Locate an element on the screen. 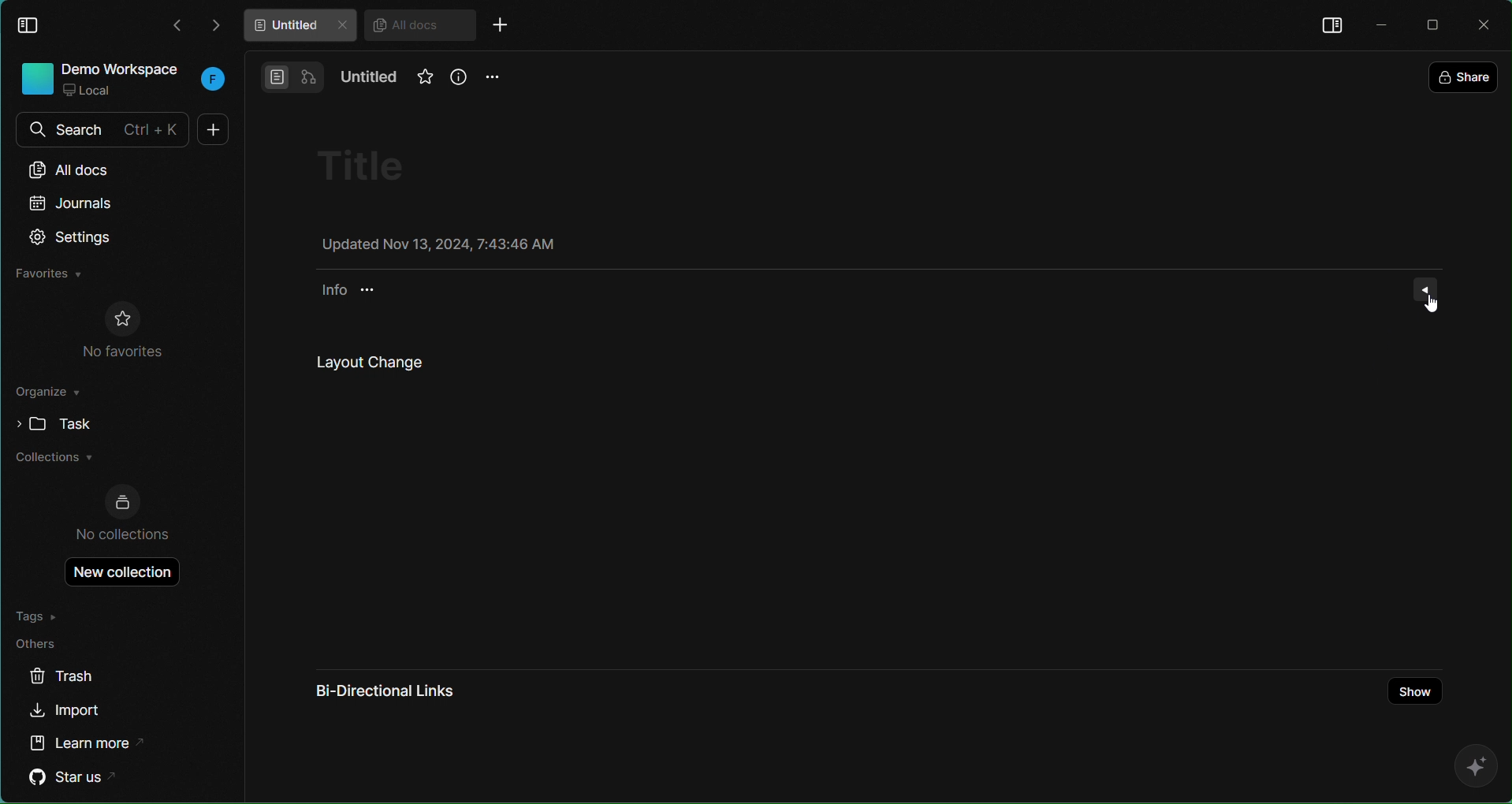  Collections » is located at coordinates (54, 460).